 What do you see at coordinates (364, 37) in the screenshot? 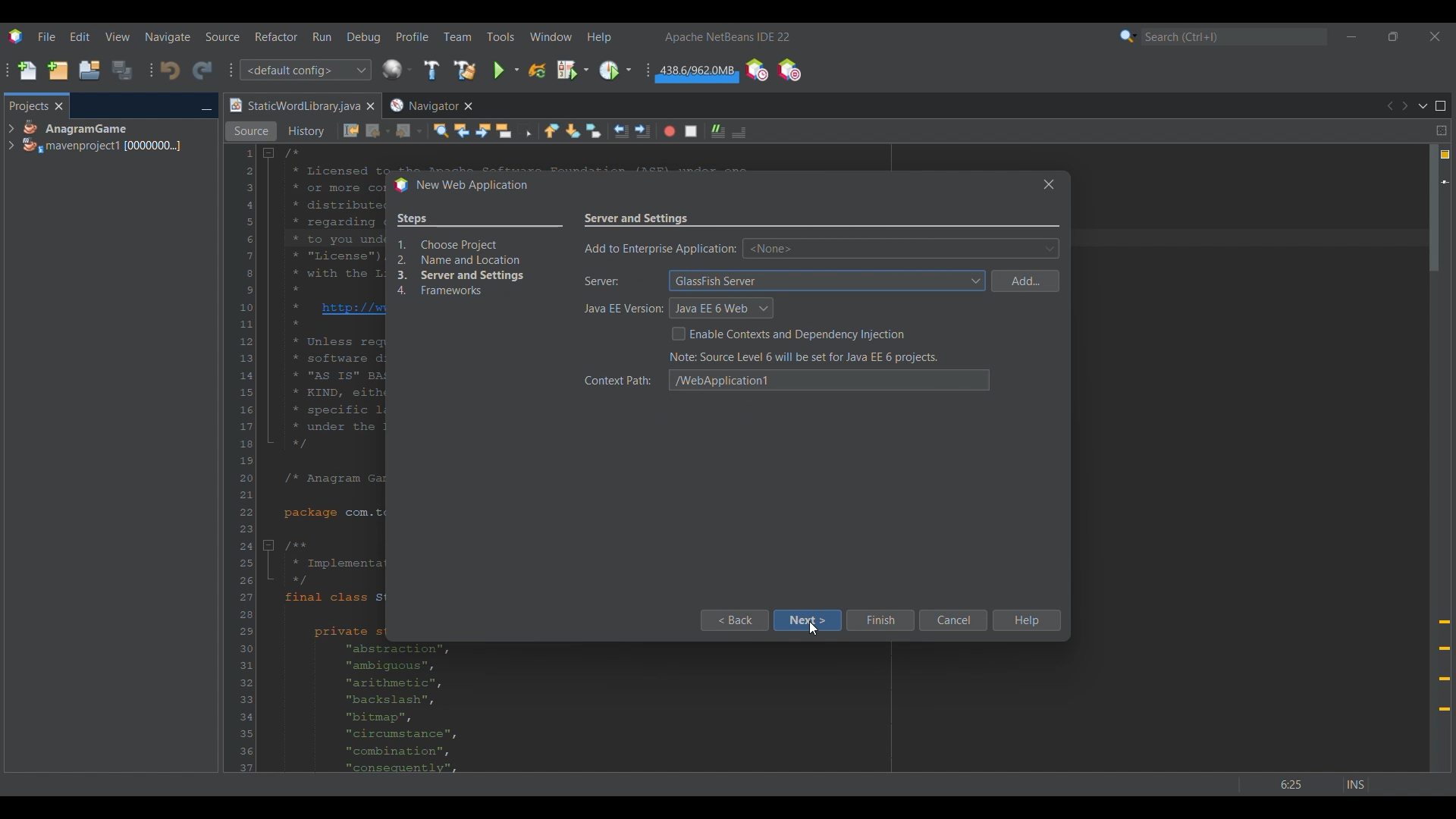
I see `Debug menu` at bounding box center [364, 37].